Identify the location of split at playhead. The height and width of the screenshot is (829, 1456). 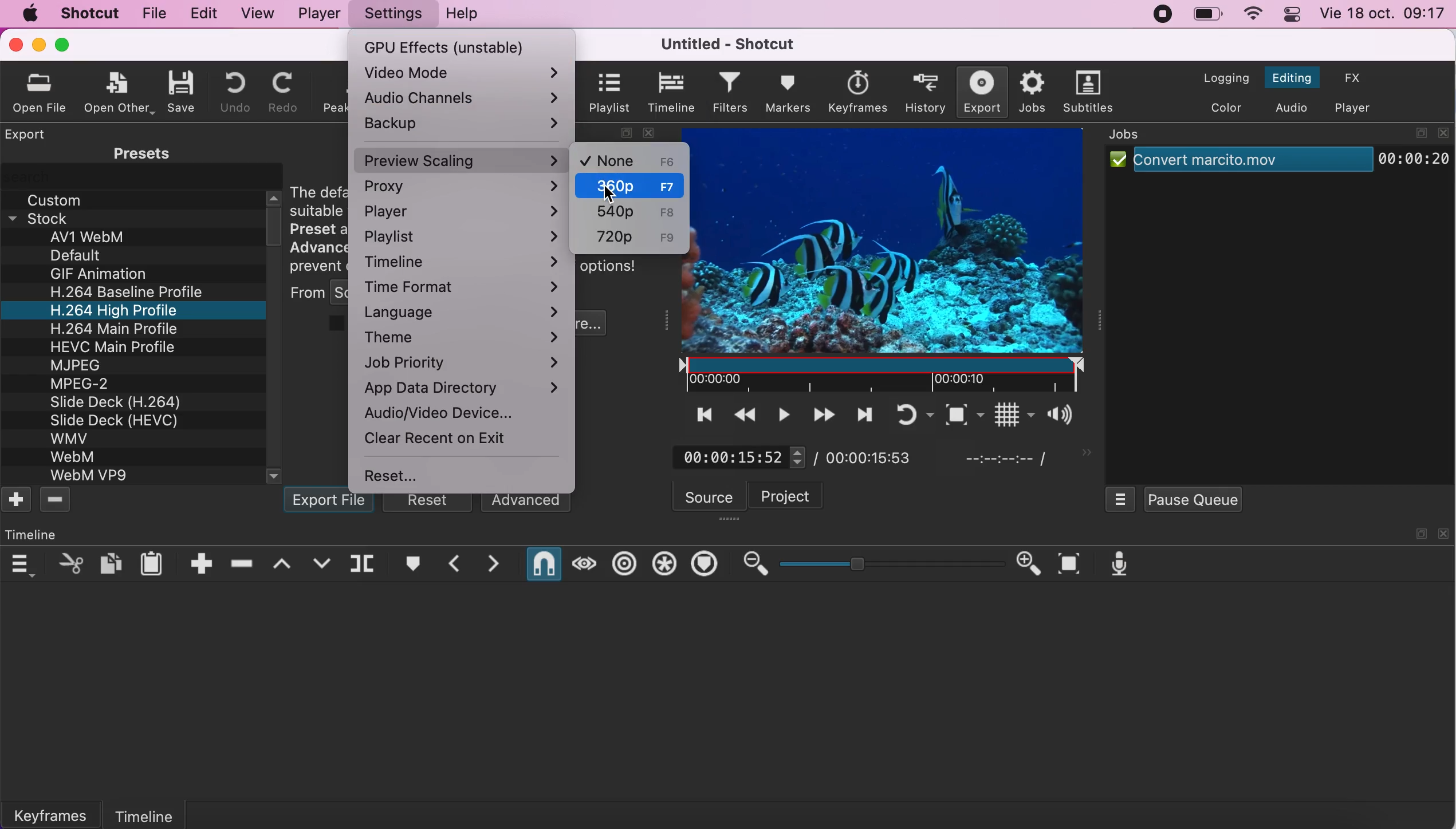
(366, 566).